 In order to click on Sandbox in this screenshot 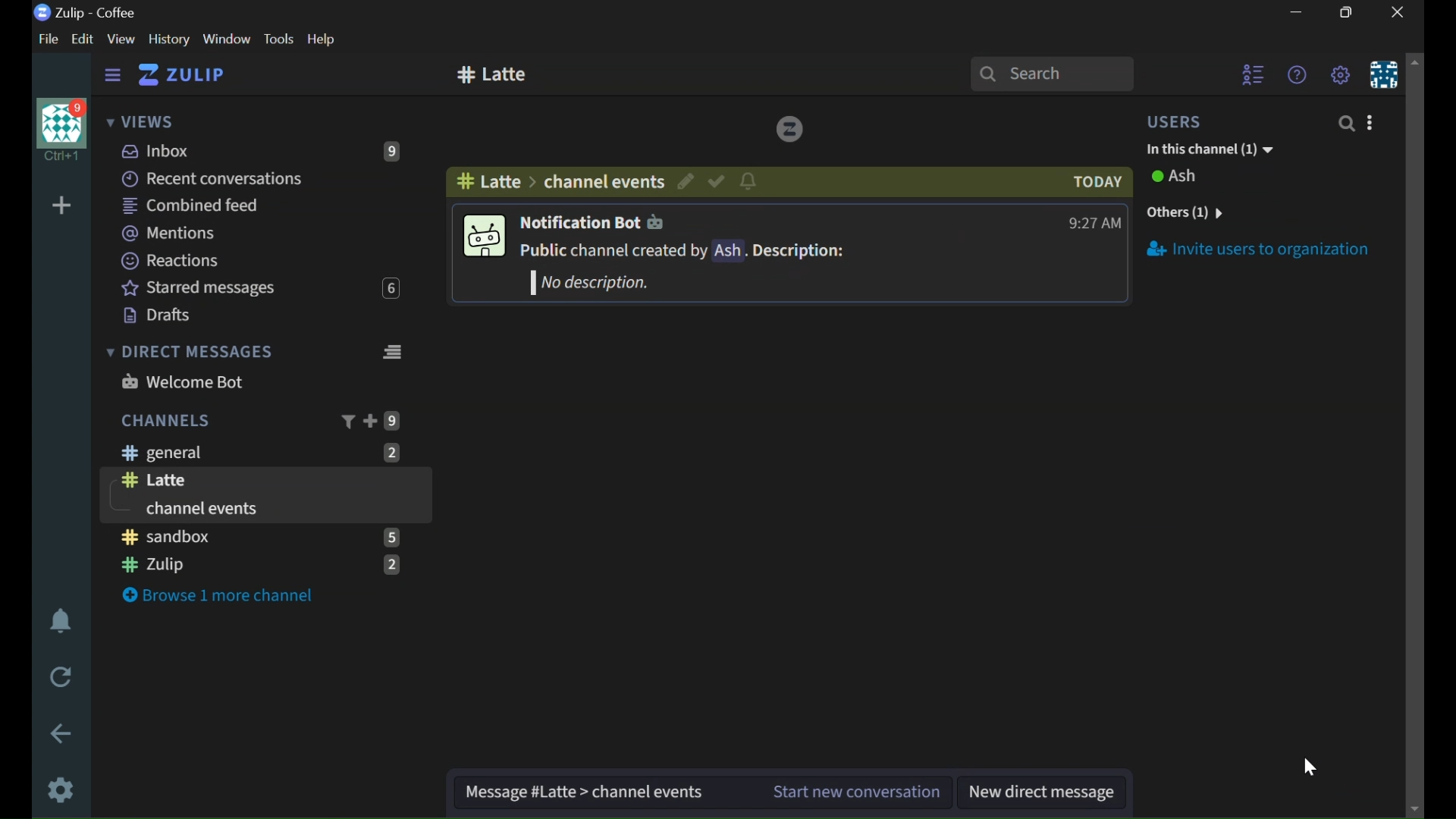, I will do `click(260, 536)`.